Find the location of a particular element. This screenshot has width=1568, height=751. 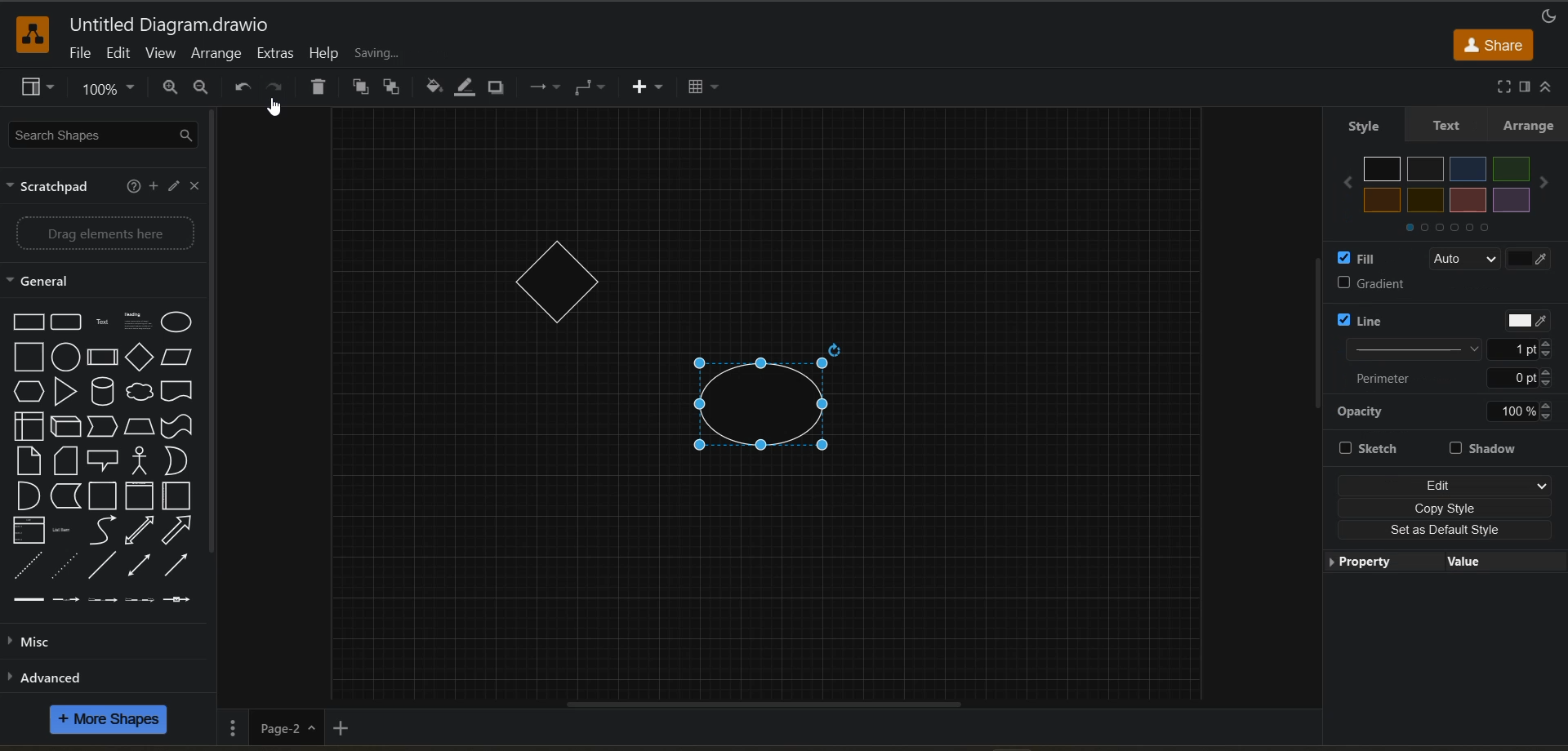

delete is located at coordinates (318, 87).